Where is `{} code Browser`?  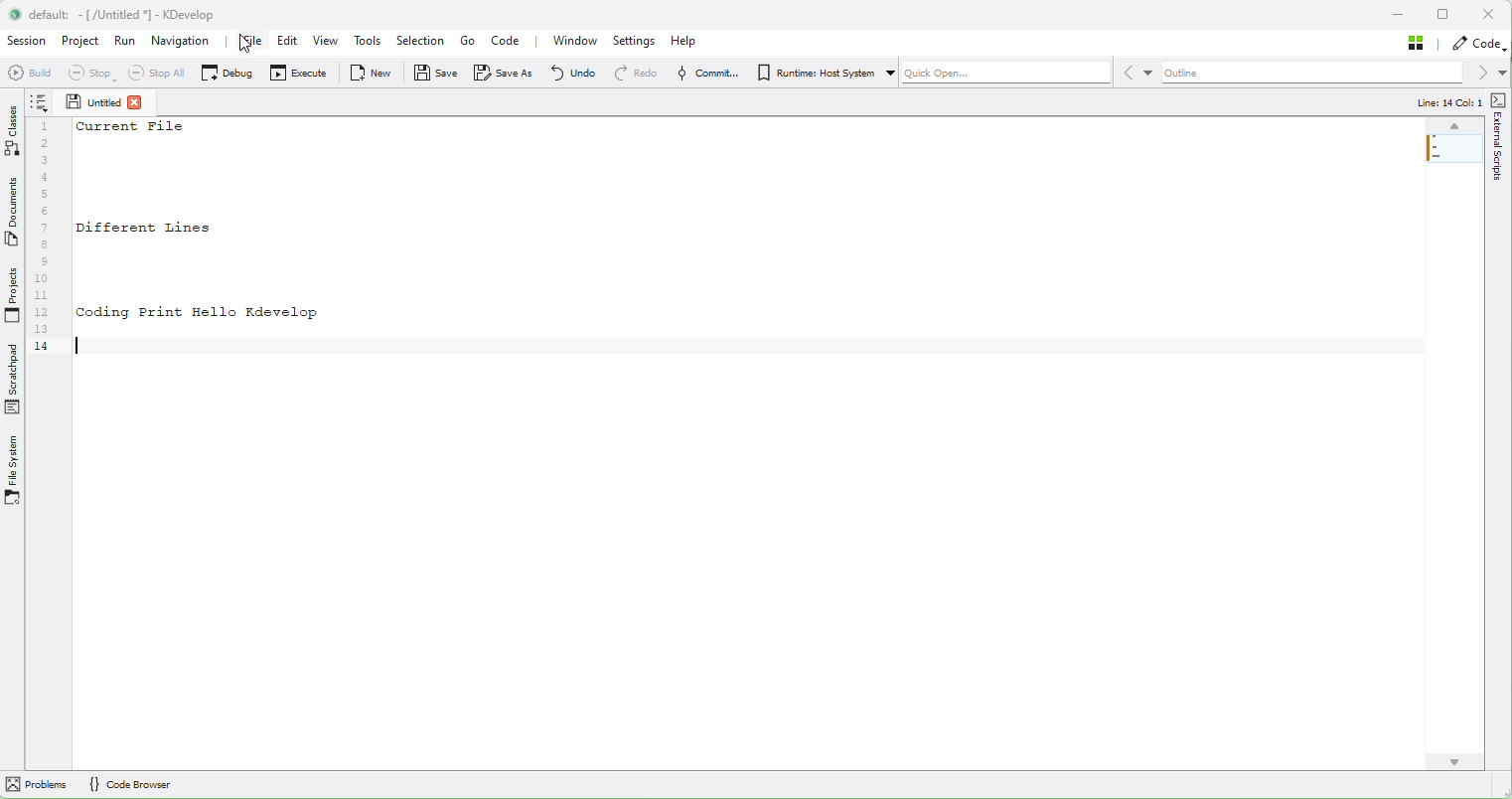 {} code Browser is located at coordinates (129, 783).